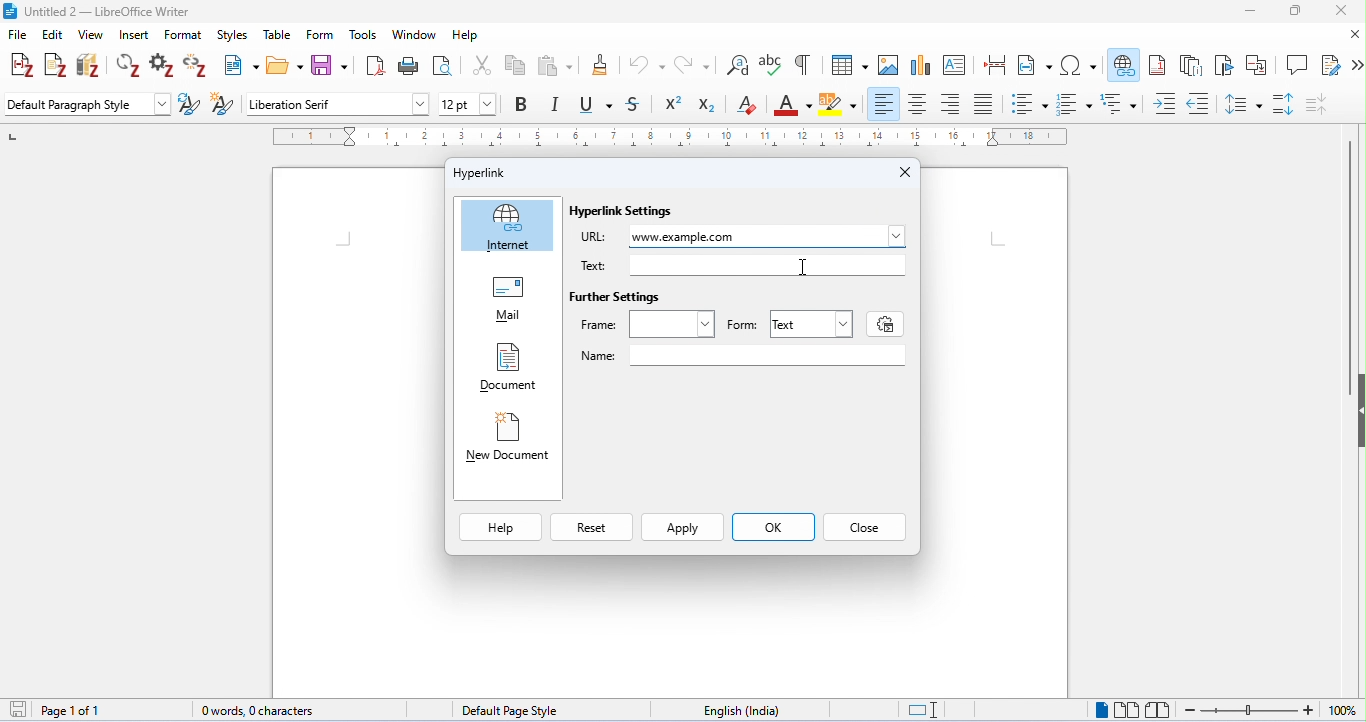  I want to click on more, so click(1357, 67).